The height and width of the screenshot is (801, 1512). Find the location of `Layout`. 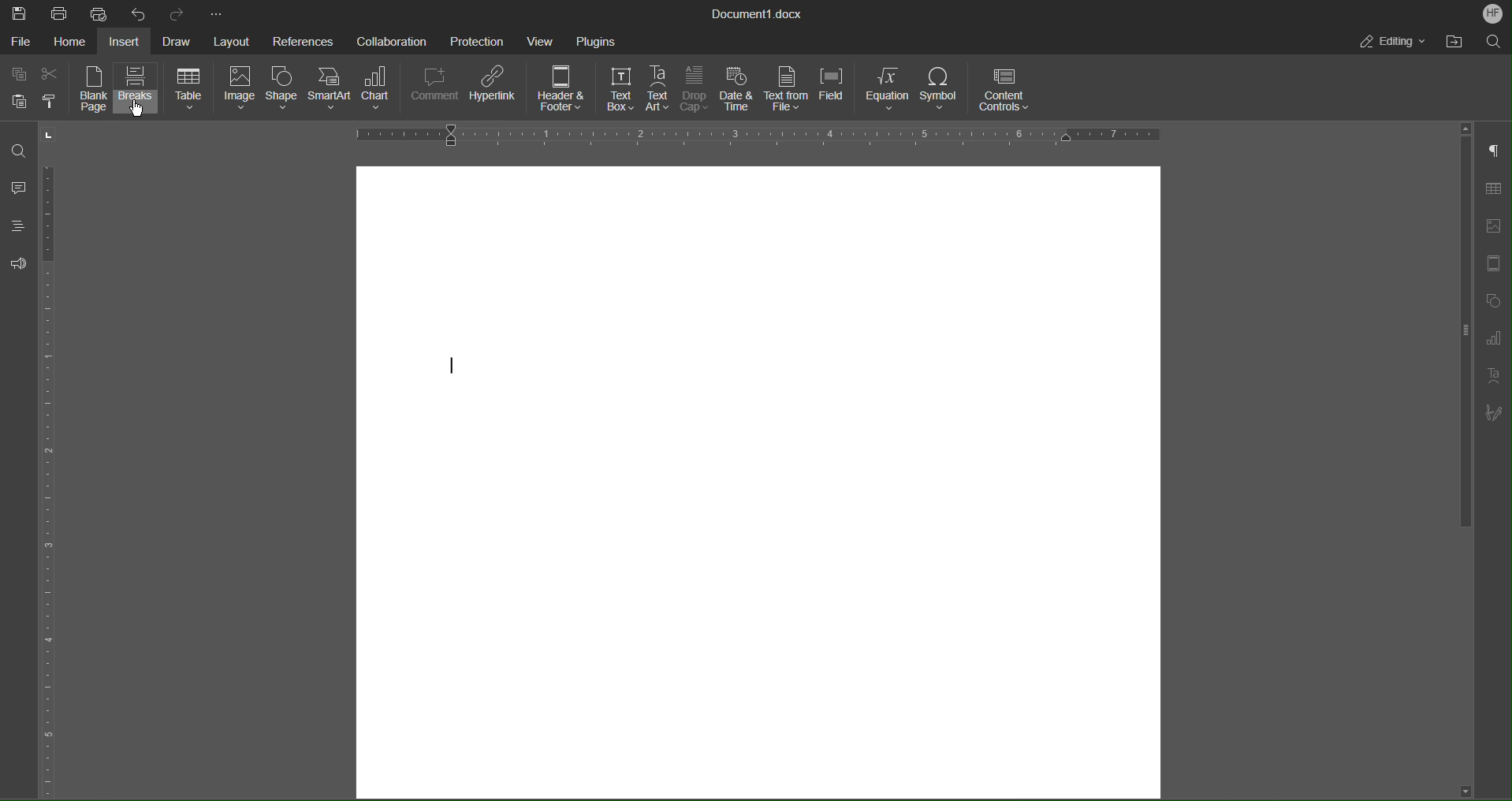

Layout is located at coordinates (232, 39).